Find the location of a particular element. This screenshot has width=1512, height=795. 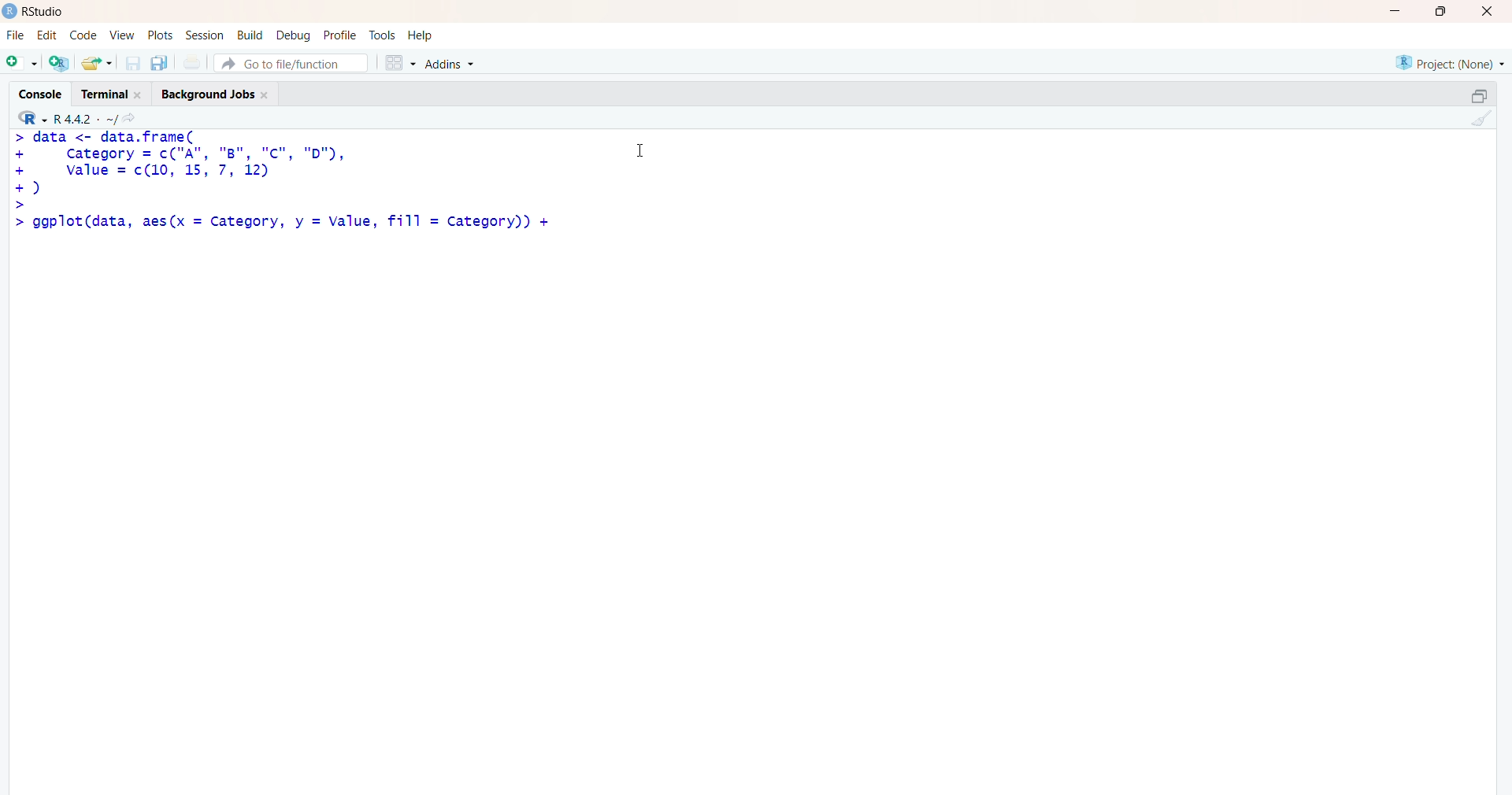

Terminal is located at coordinates (109, 92).